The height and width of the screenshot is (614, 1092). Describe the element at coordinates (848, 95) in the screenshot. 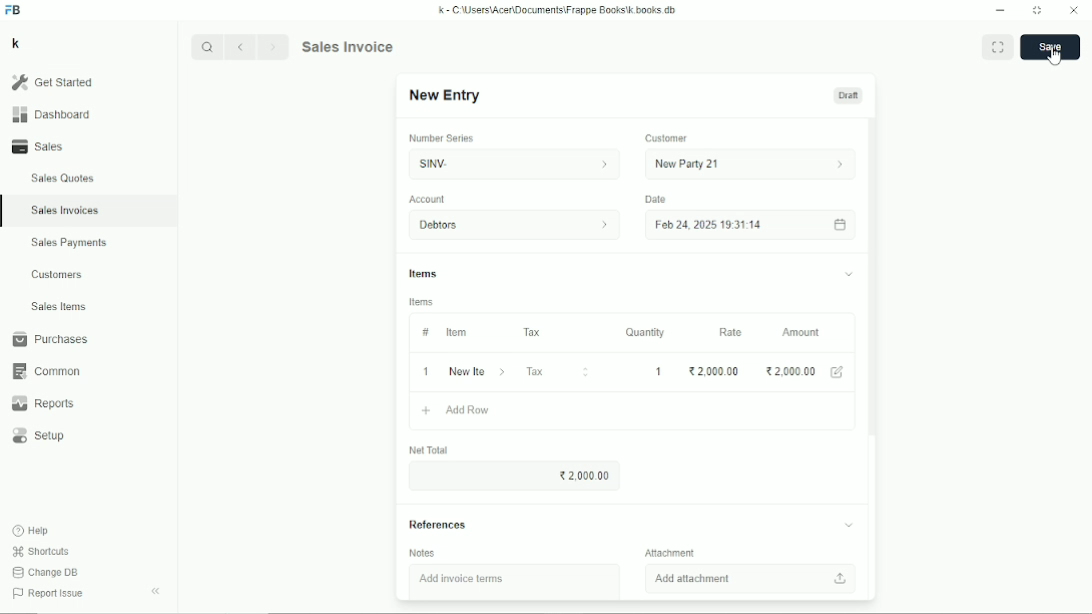

I see `Draft` at that location.